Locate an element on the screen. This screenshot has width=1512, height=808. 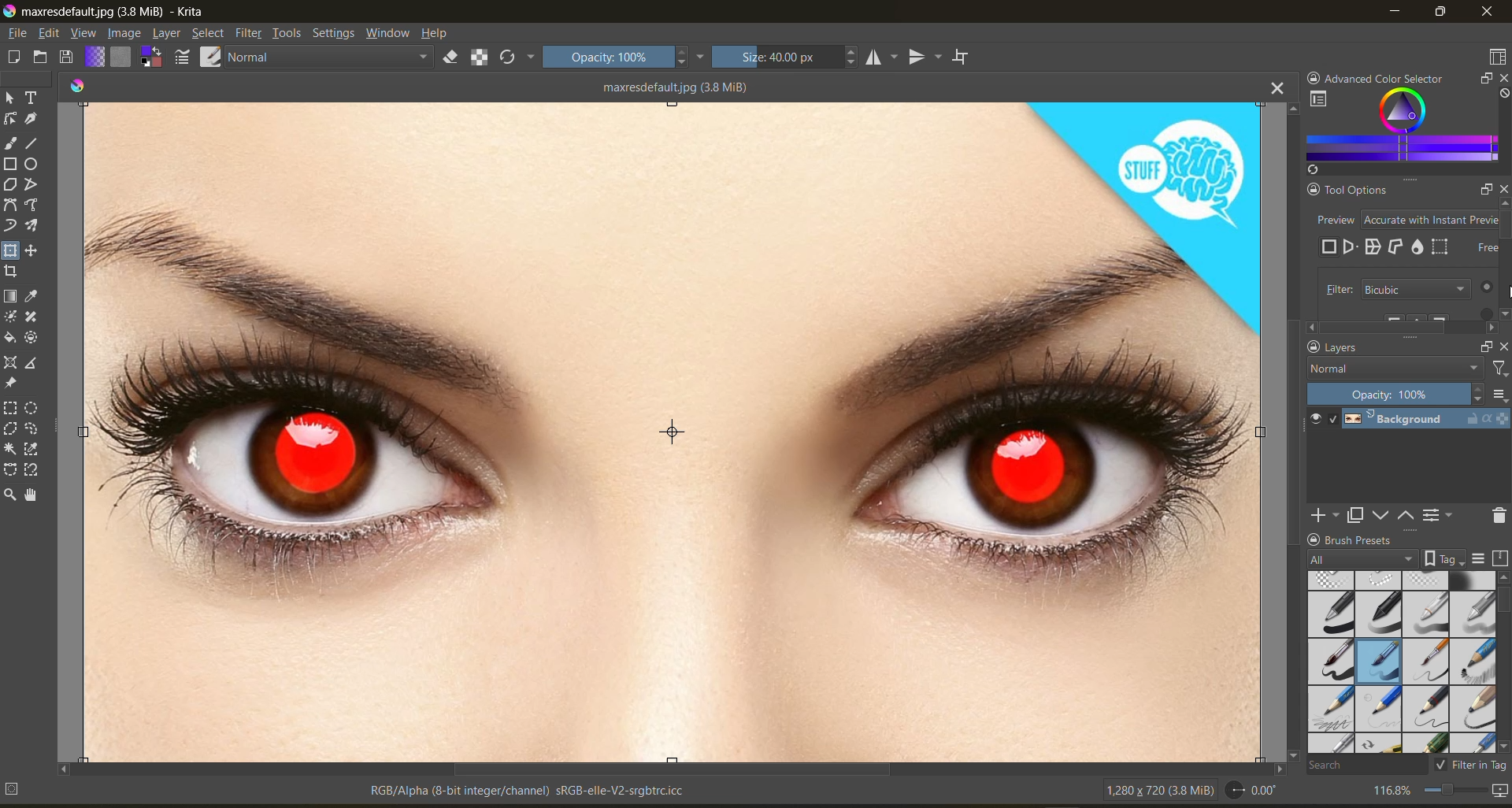
Brush Presets is located at coordinates (1392, 539).